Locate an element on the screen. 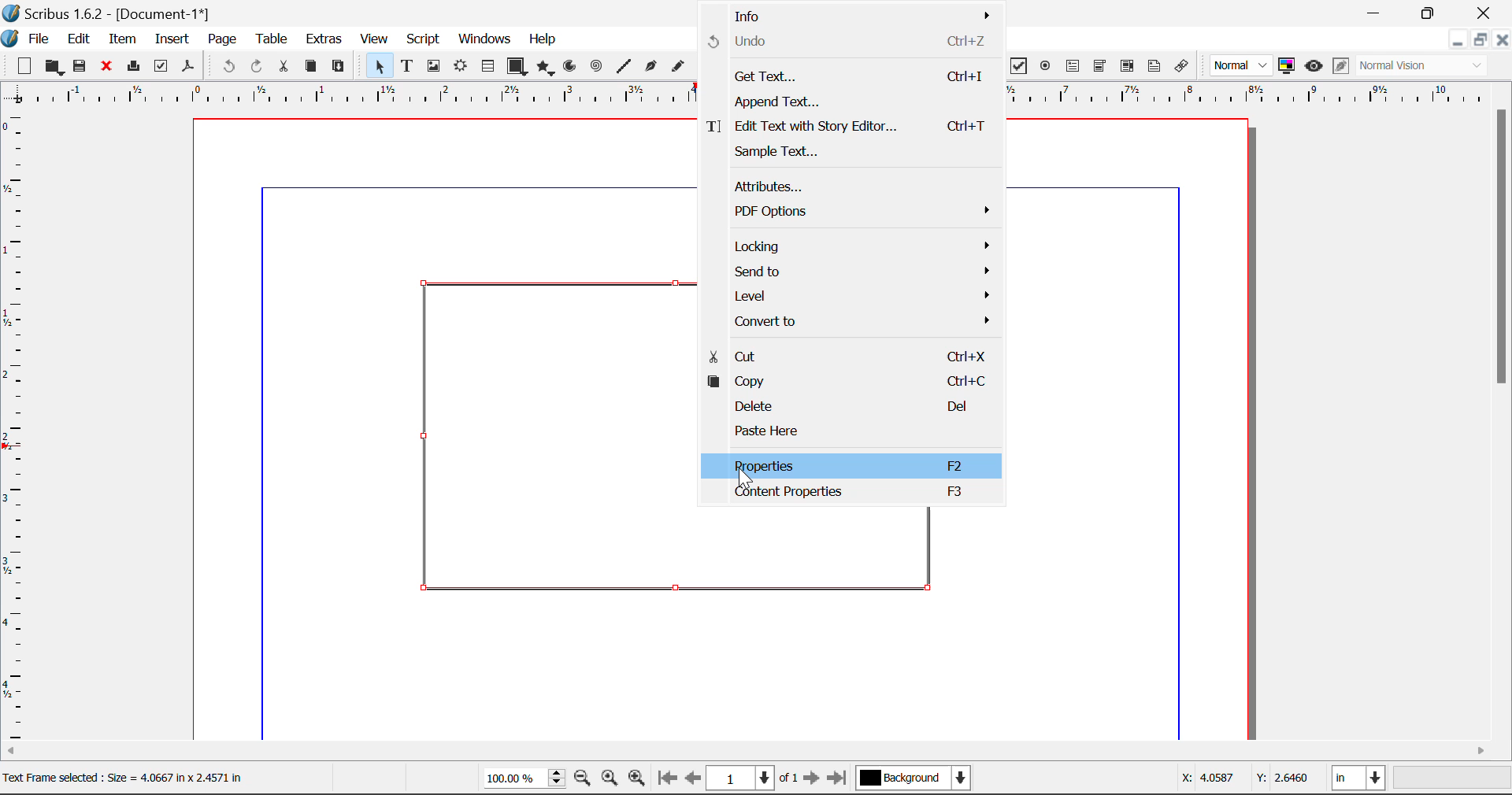 This screenshot has height=795, width=1512. Scribus 1.62 - [Document-1*] is located at coordinates (113, 11).